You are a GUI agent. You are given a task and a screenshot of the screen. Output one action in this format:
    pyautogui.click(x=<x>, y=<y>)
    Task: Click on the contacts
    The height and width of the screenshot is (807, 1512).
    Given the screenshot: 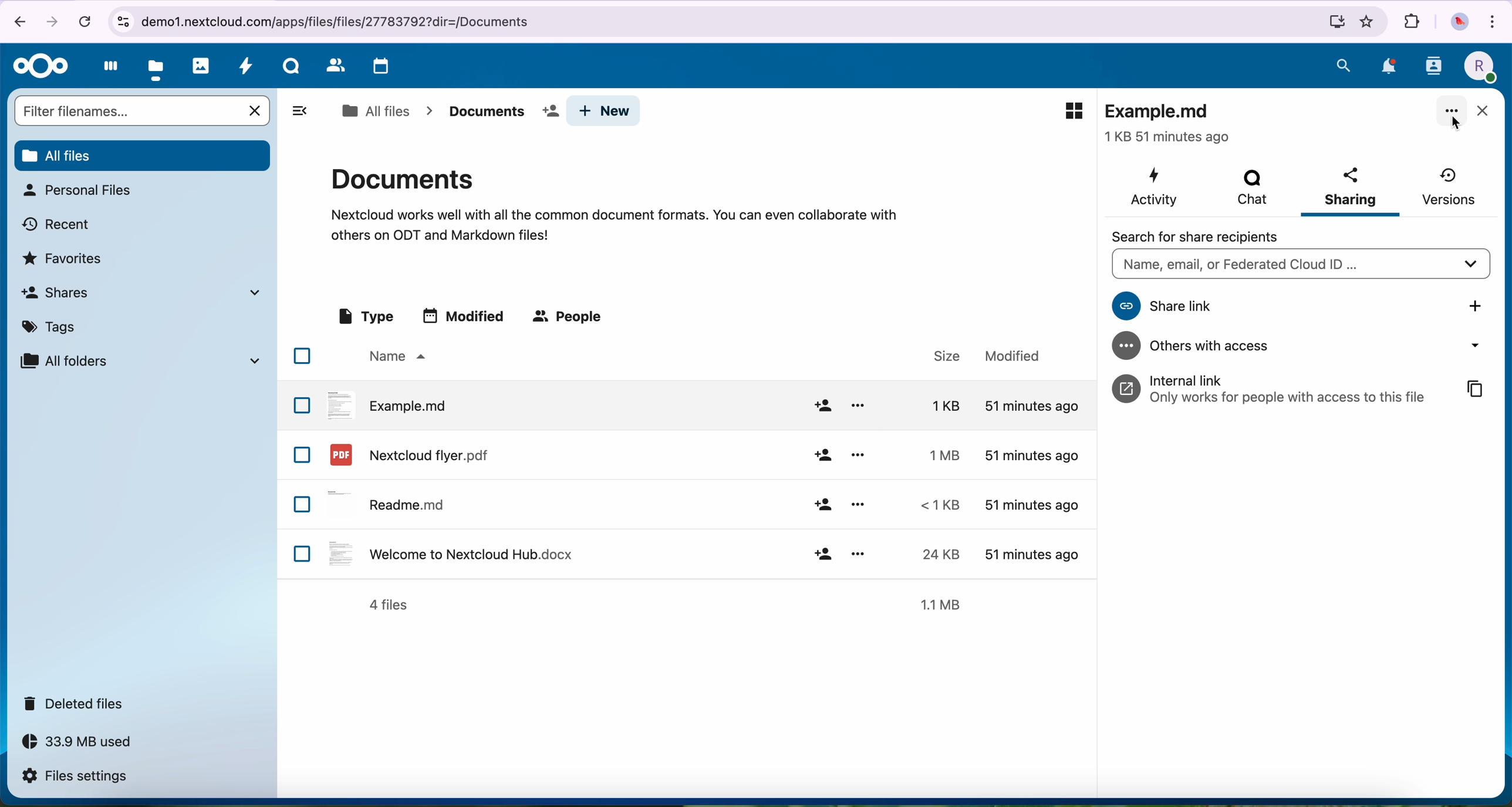 What is the action you would take?
    pyautogui.click(x=333, y=66)
    